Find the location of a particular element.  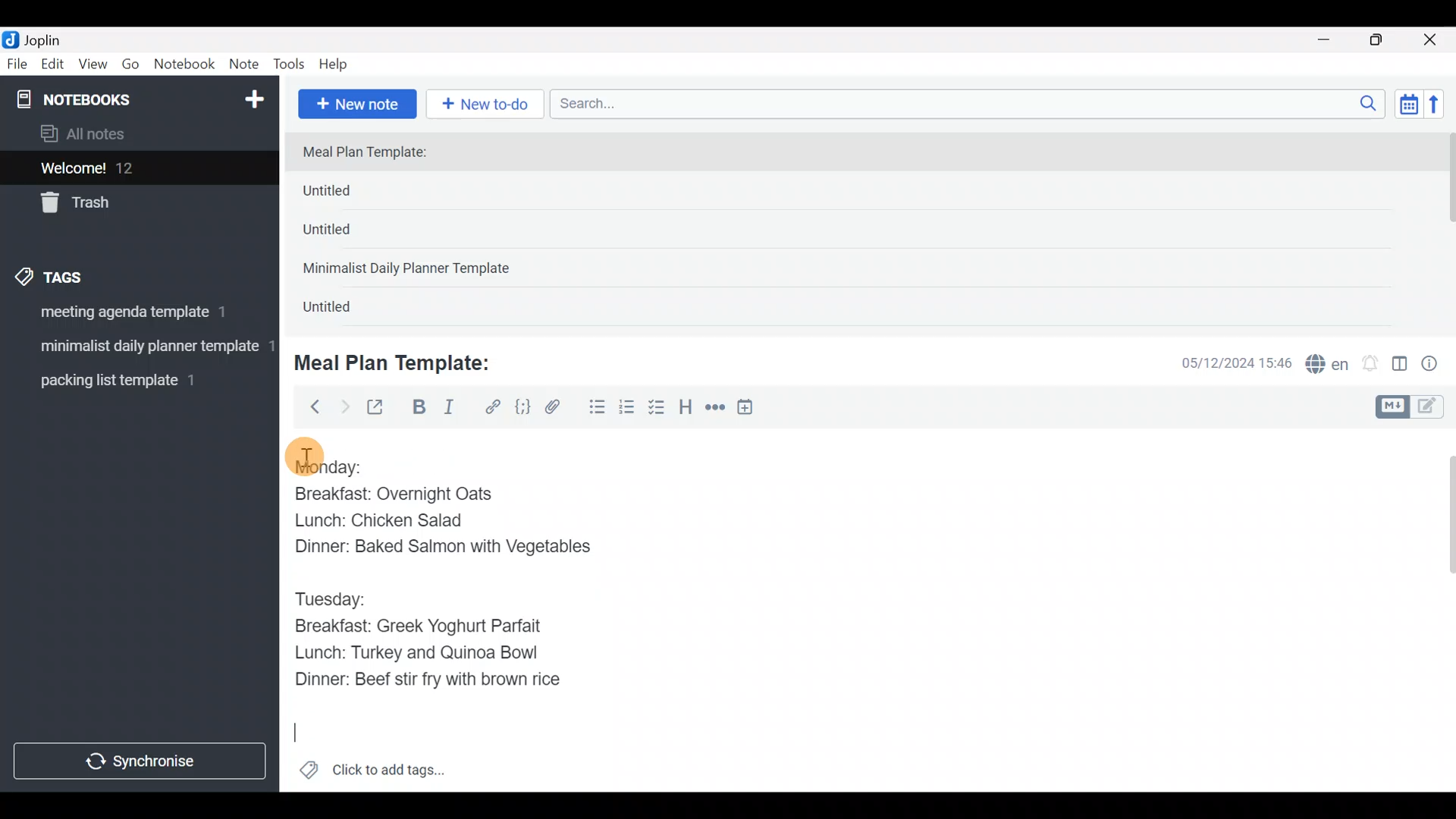

Lunch: Chicken Salad is located at coordinates (375, 521).